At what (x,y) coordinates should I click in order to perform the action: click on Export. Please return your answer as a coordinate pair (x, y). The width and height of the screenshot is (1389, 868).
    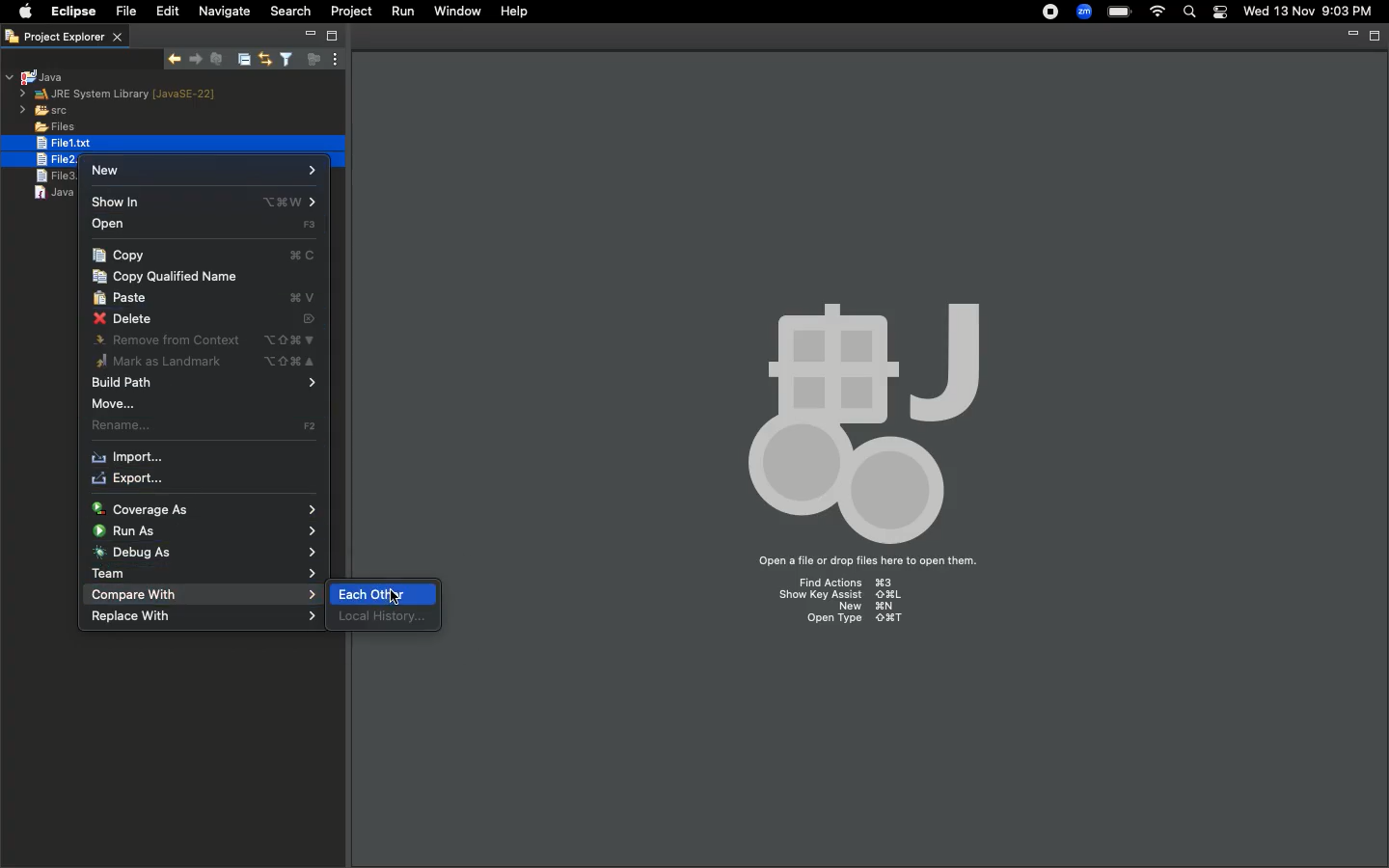
    Looking at the image, I should click on (136, 478).